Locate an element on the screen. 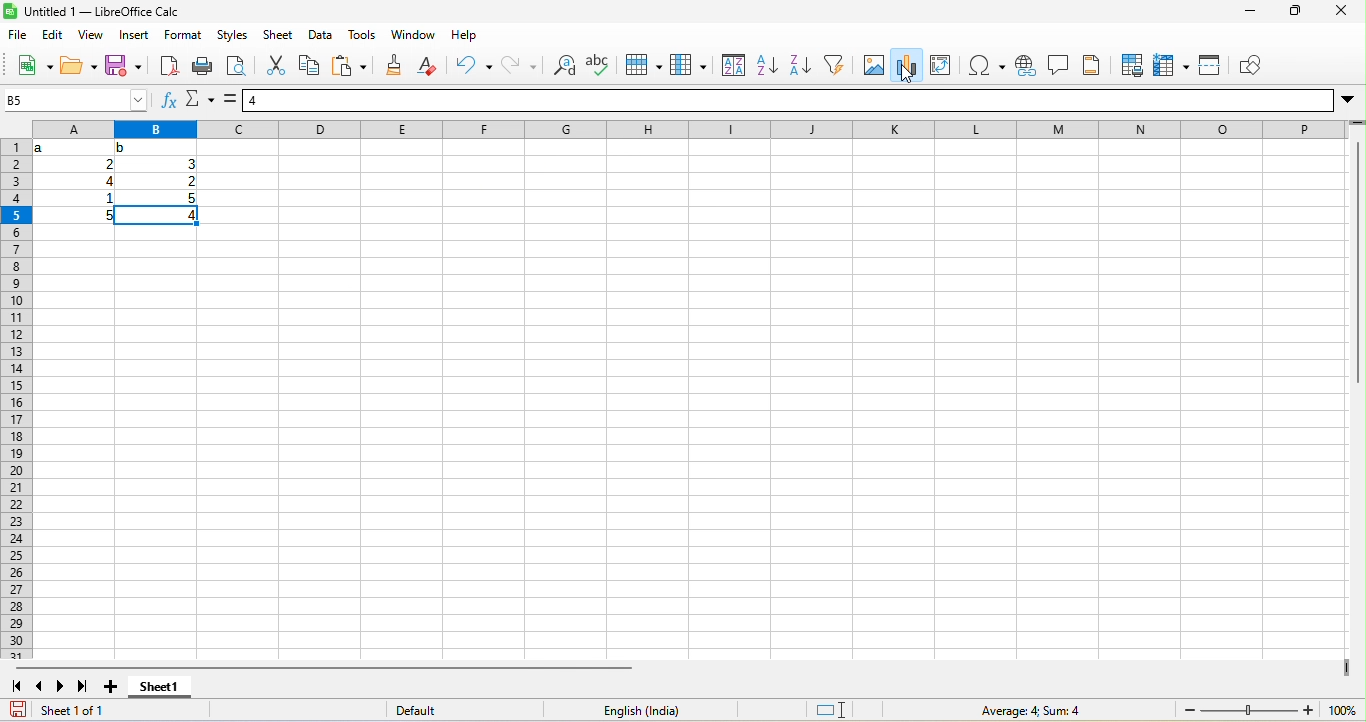 The image size is (1366, 722). add sheet is located at coordinates (111, 686).